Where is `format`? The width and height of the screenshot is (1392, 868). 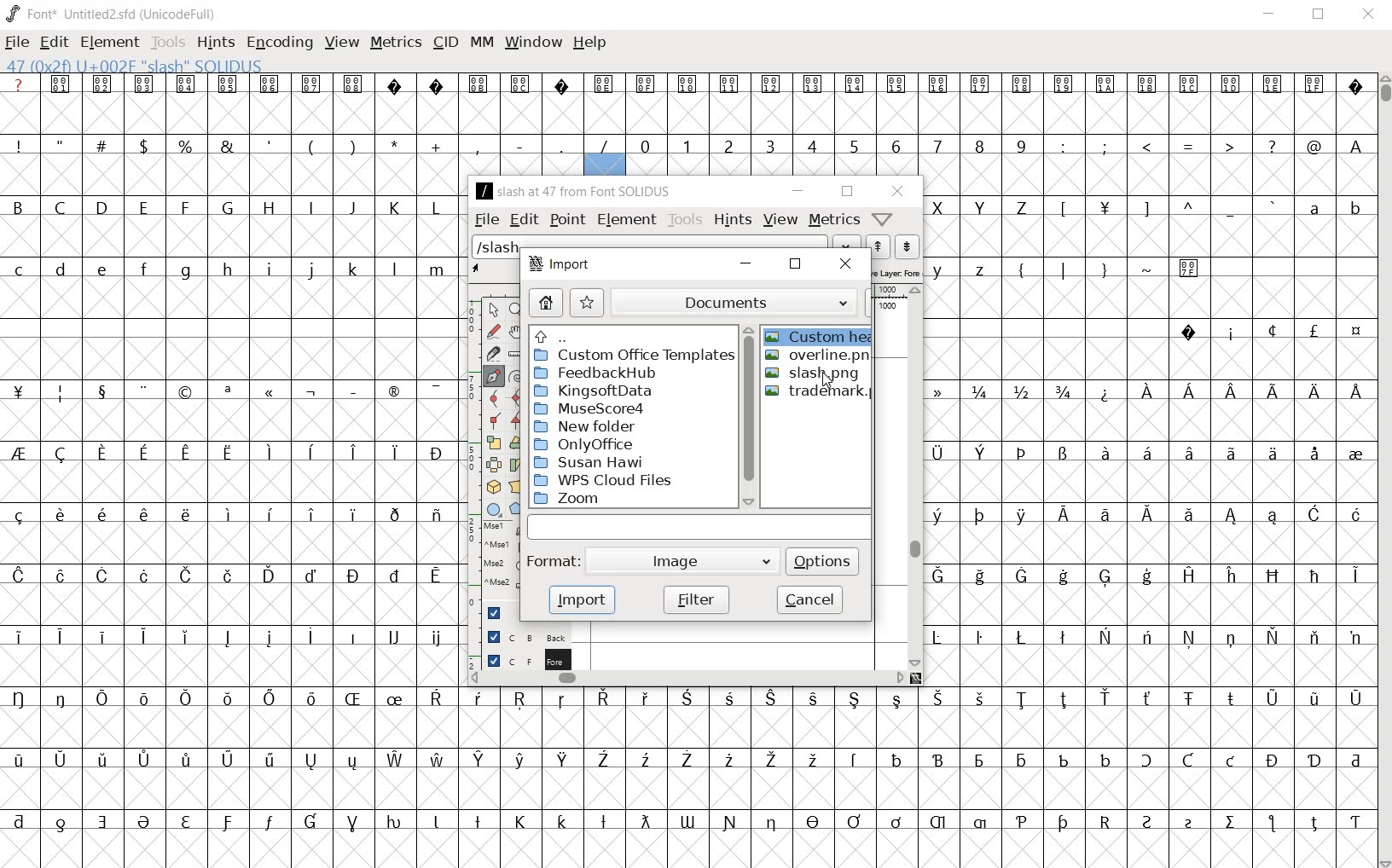
format is located at coordinates (650, 560).